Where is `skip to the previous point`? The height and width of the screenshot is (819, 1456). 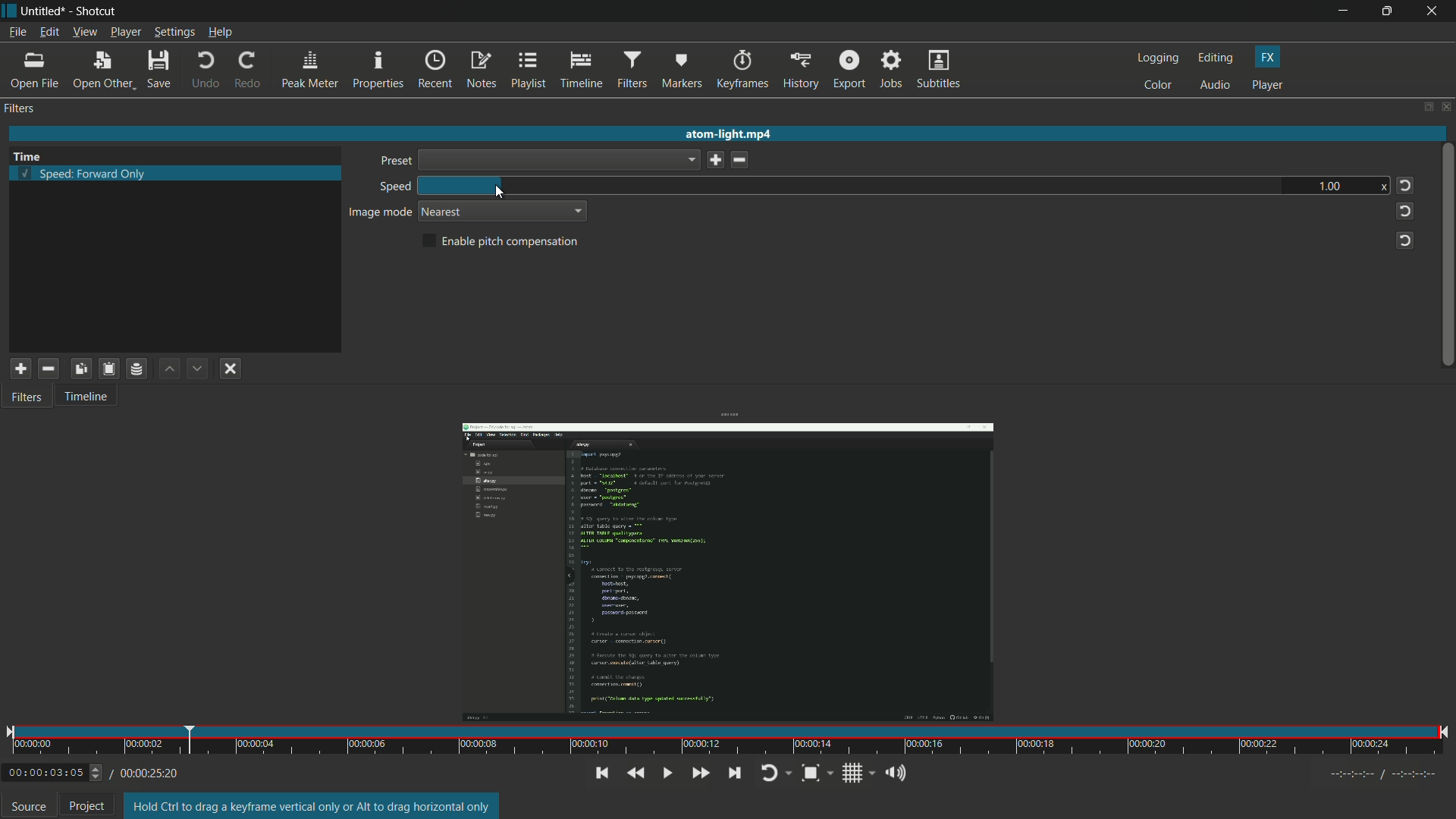
skip to the previous point is located at coordinates (600, 773).